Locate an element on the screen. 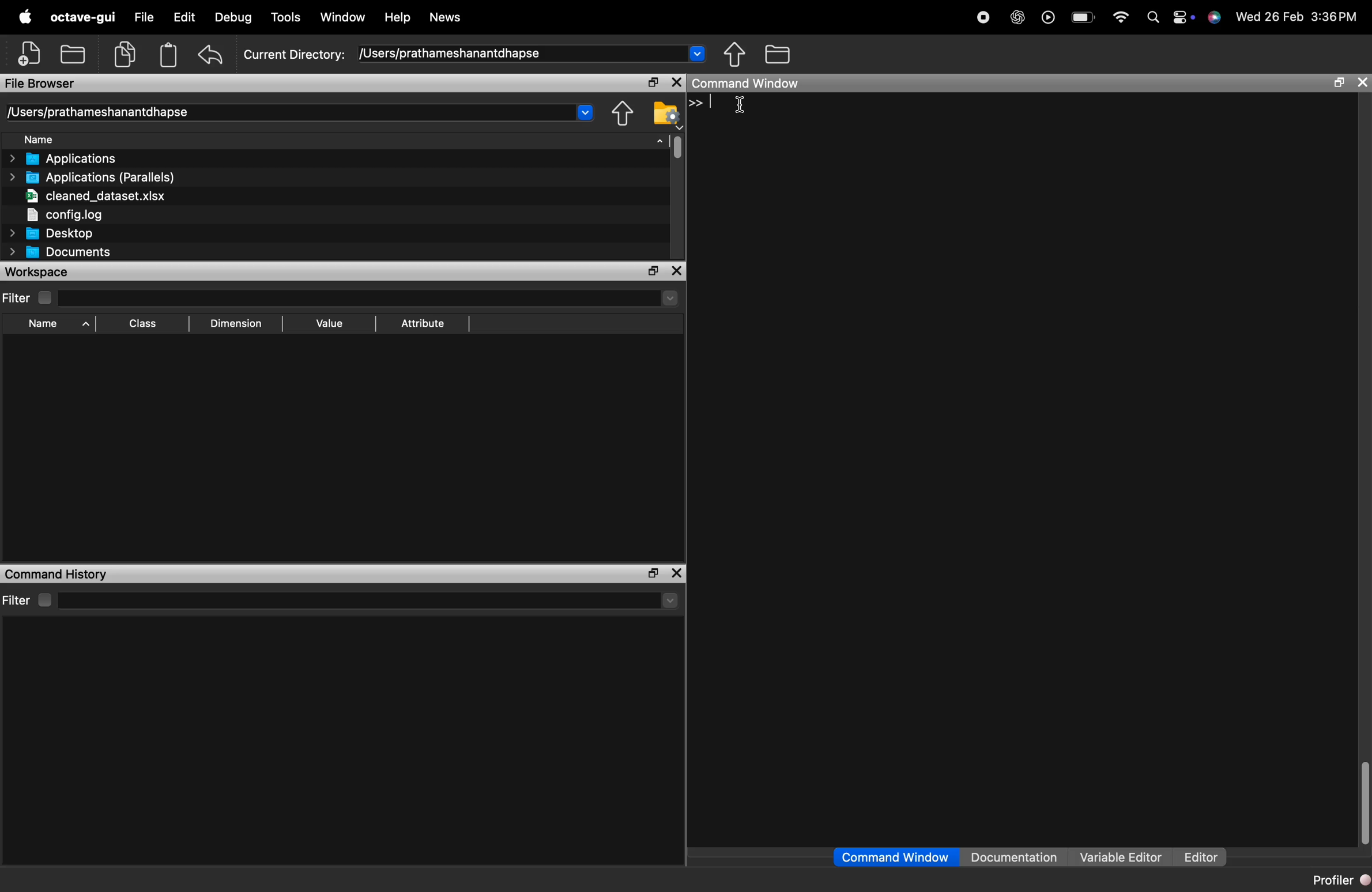  Browse directories is located at coordinates (735, 55).